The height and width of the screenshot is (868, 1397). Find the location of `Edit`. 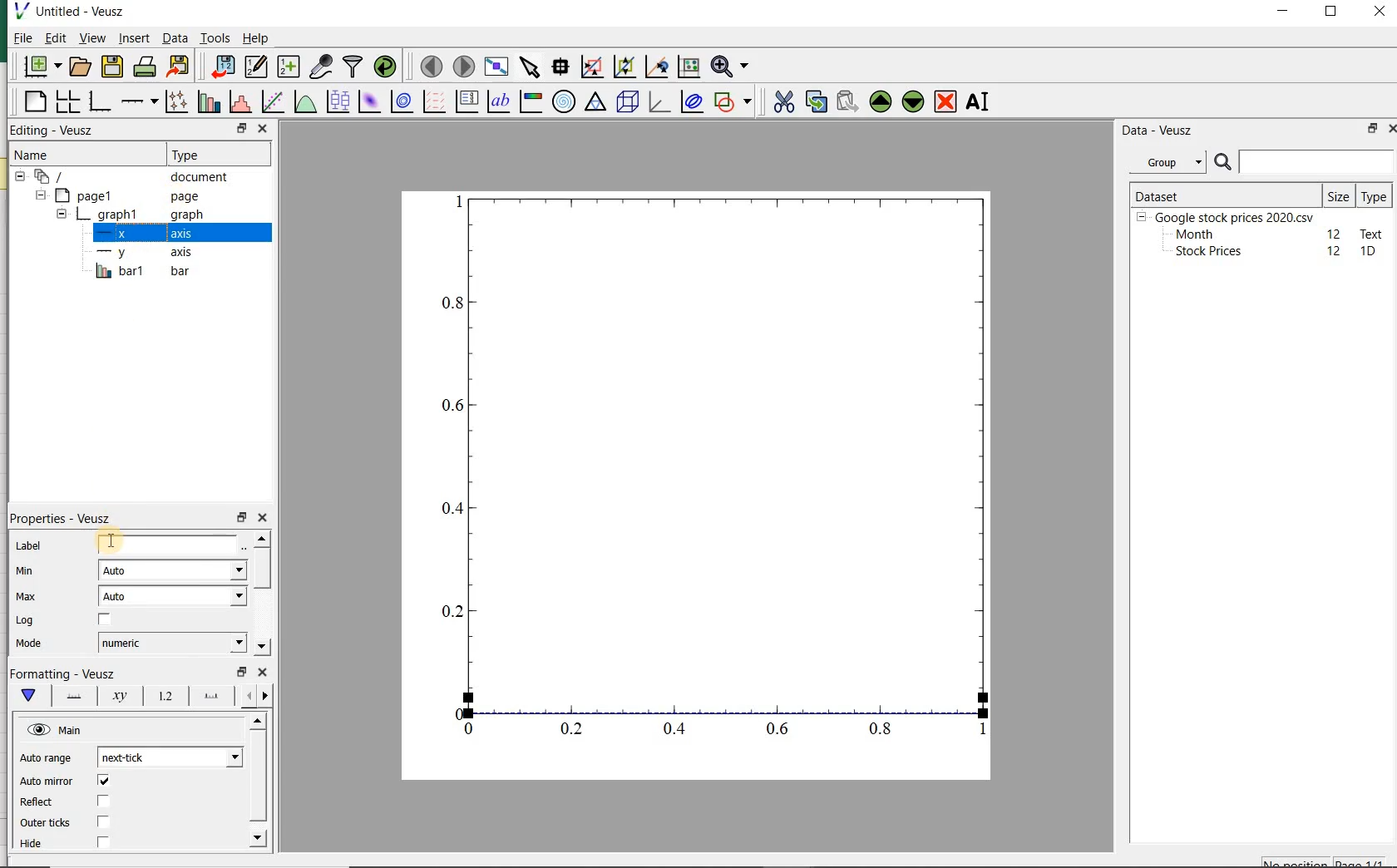

Edit is located at coordinates (54, 37).